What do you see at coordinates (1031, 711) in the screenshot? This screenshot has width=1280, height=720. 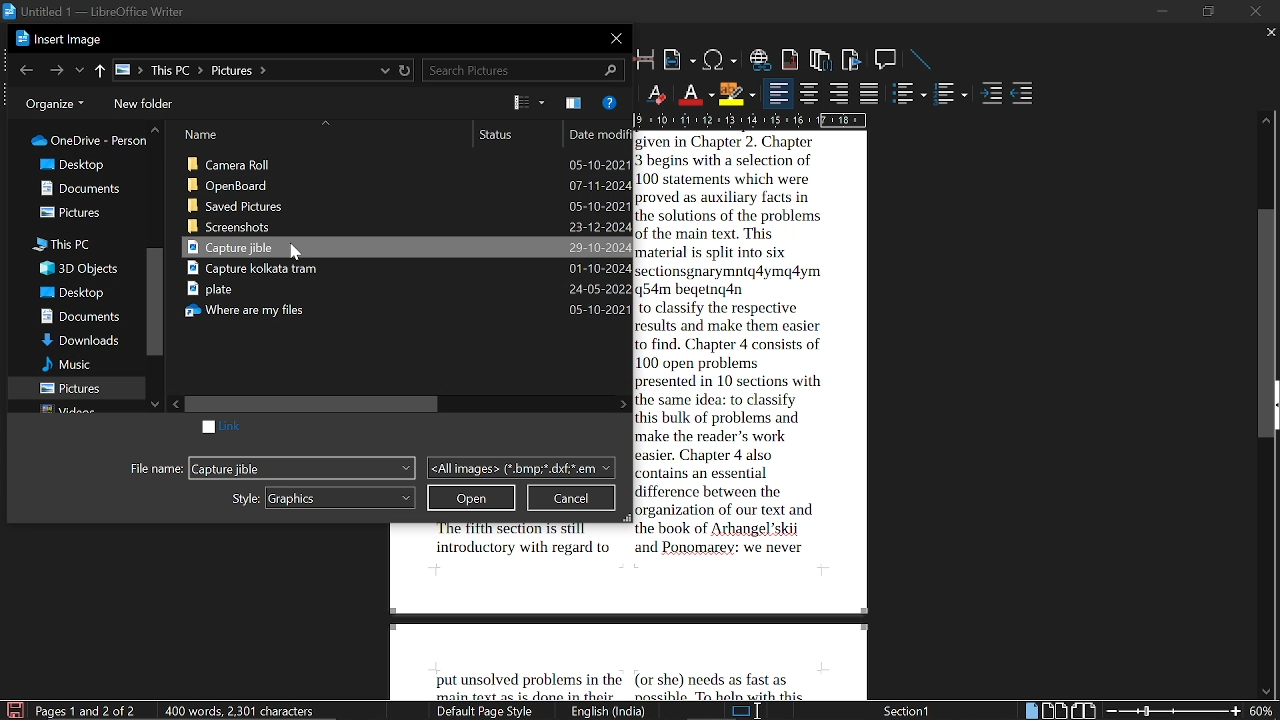 I see `single page view` at bounding box center [1031, 711].